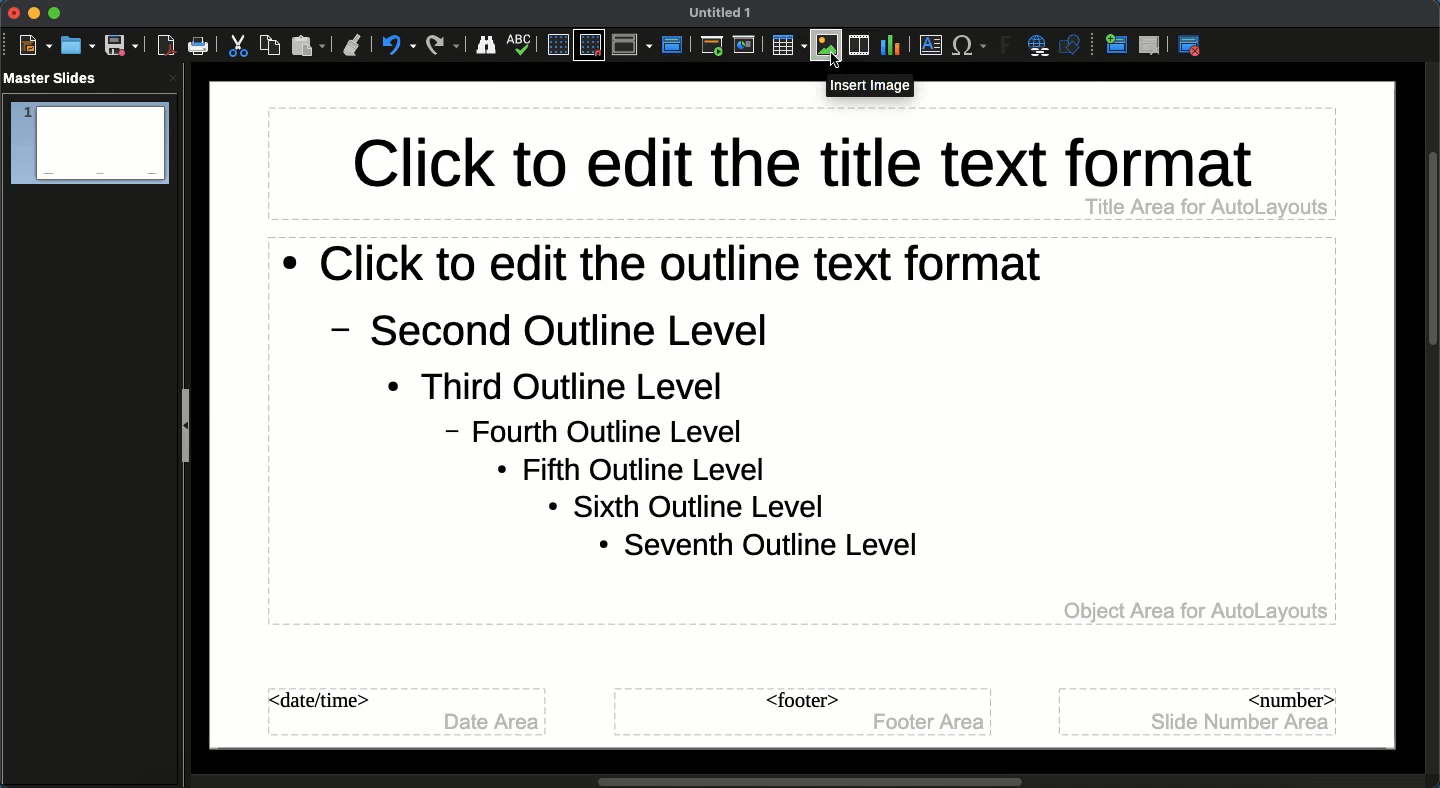 This screenshot has height=788, width=1440. Describe the element at coordinates (52, 77) in the screenshot. I see `master slides` at that location.